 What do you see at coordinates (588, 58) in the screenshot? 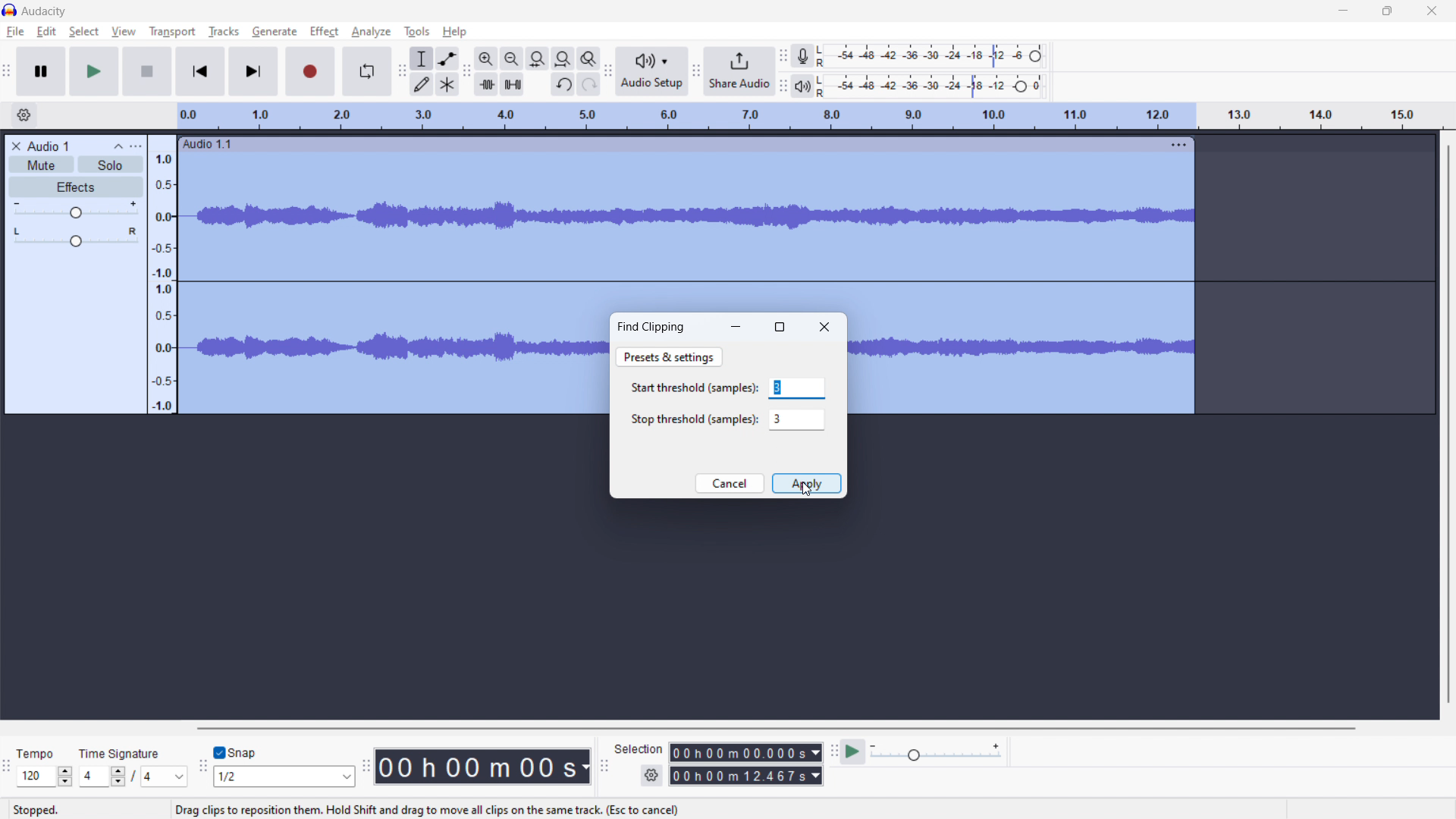
I see `toggle zoom` at bounding box center [588, 58].